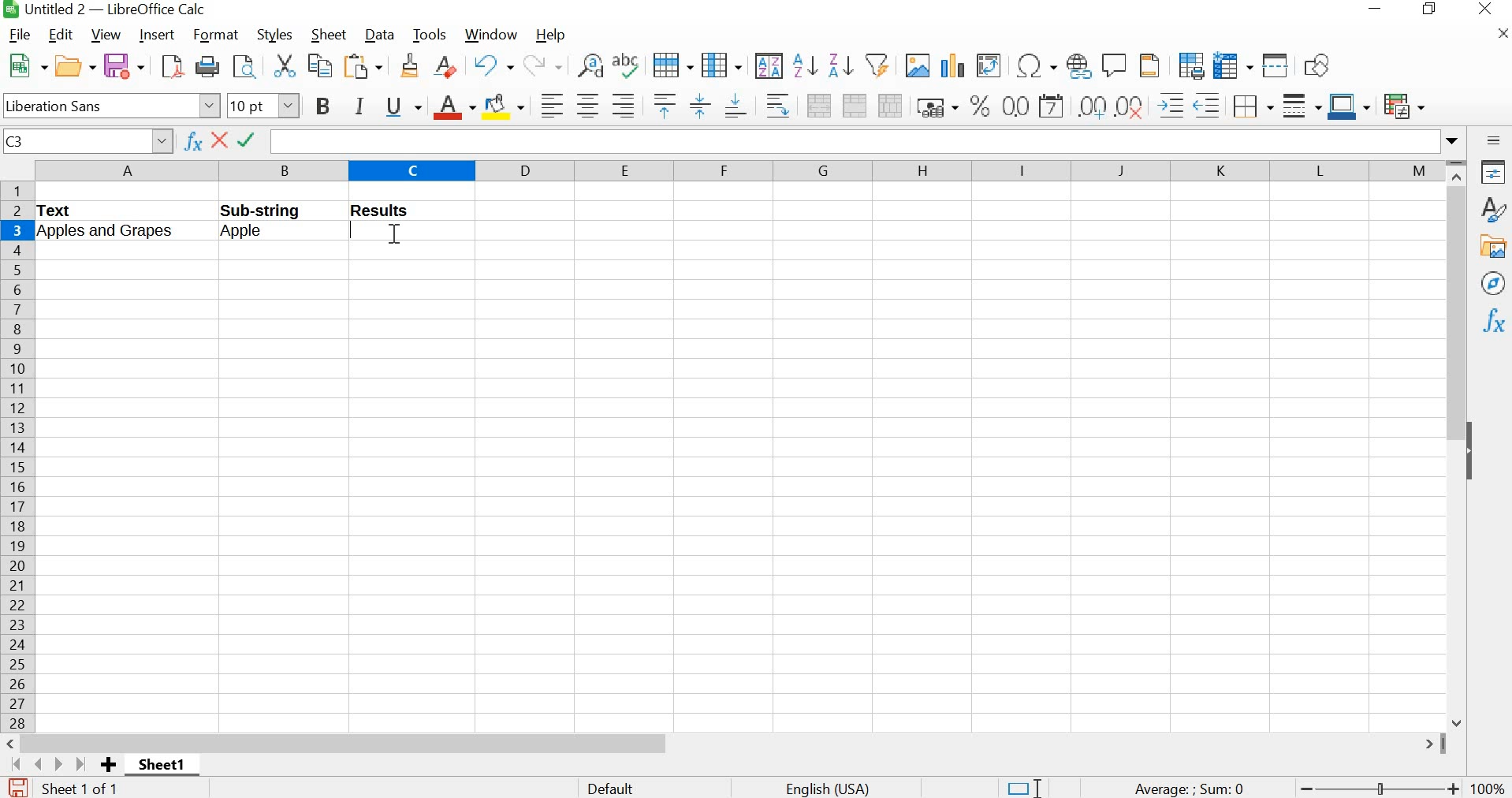  What do you see at coordinates (624, 67) in the screenshot?
I see `spelling` at bounding box center [624, 67].